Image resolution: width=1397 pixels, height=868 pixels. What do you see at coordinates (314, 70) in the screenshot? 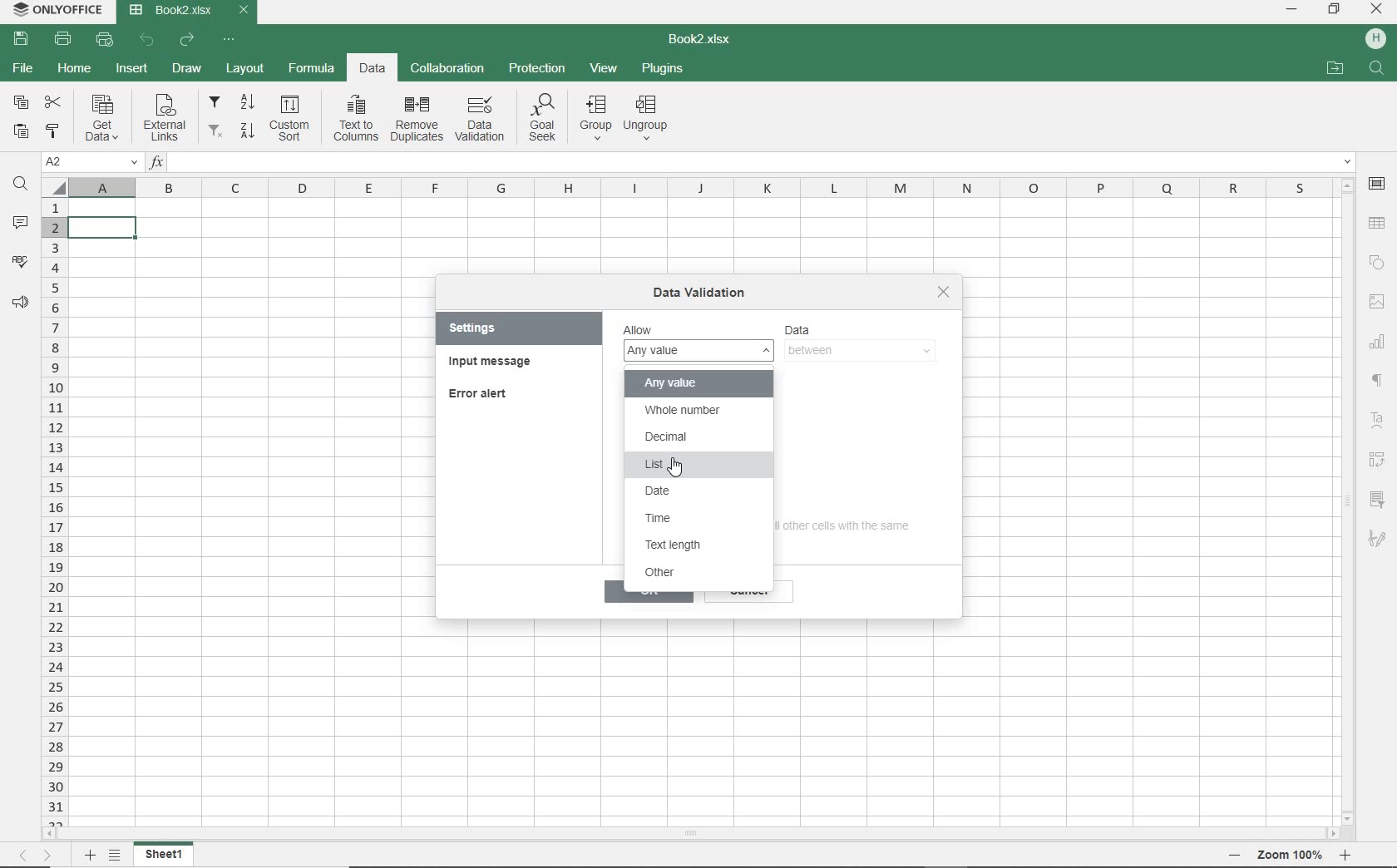
I see `FORMULA` at bounding box center [314, 70].